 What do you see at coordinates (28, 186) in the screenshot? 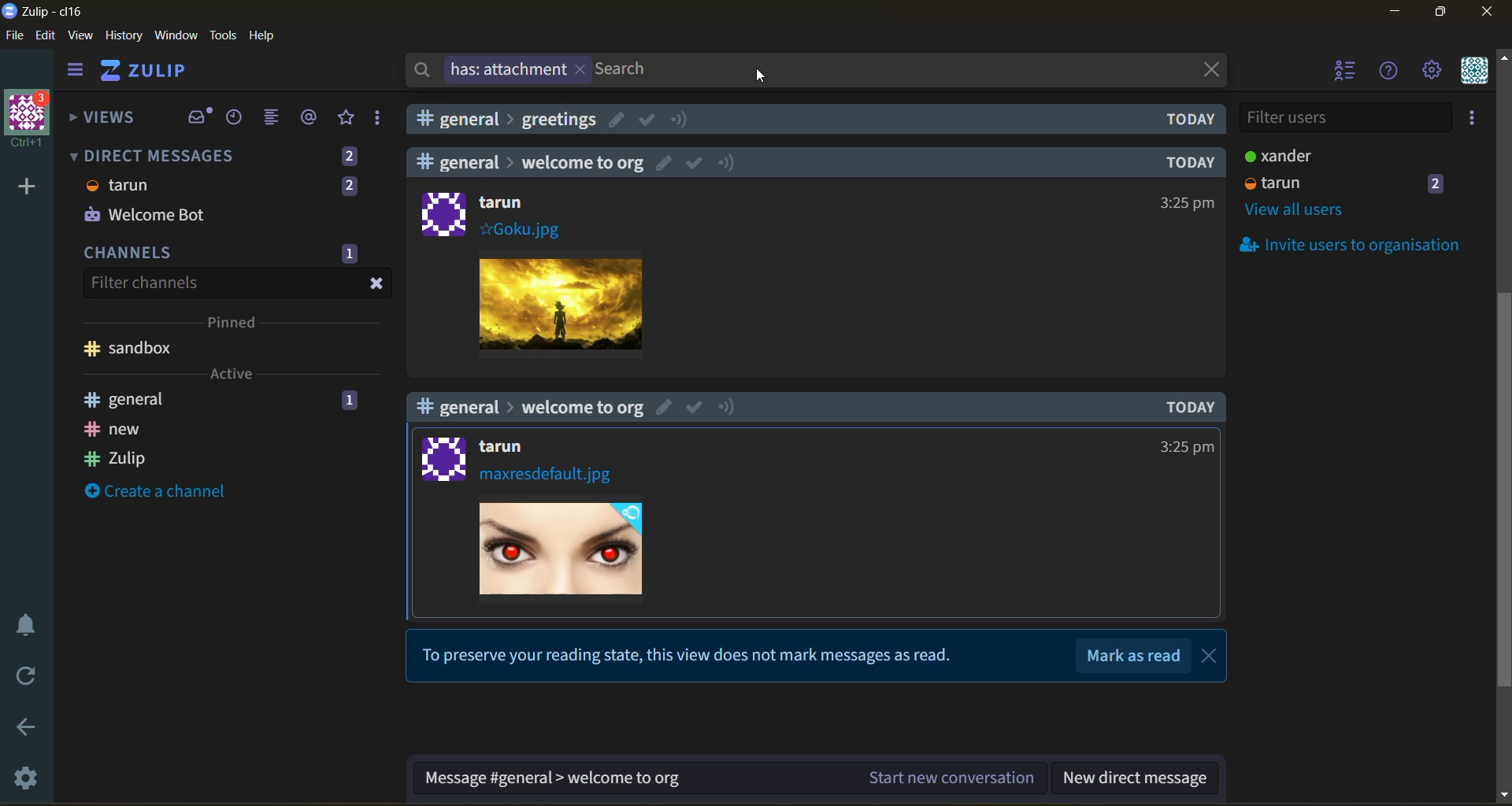
I see `add a new organisation` at bounding box center [28, 186].